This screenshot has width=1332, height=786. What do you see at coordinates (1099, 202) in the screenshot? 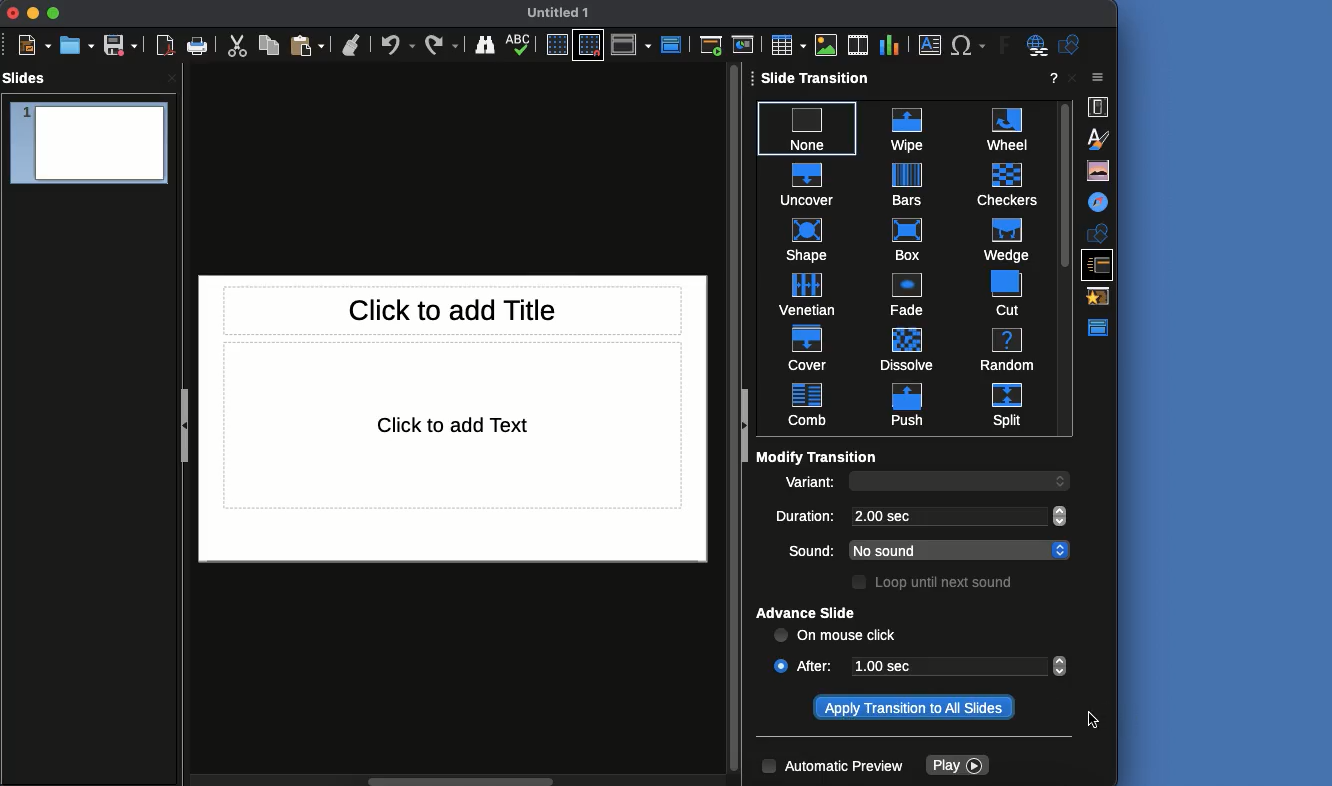
I see `Navigator` at bounding box center [1099, 202].